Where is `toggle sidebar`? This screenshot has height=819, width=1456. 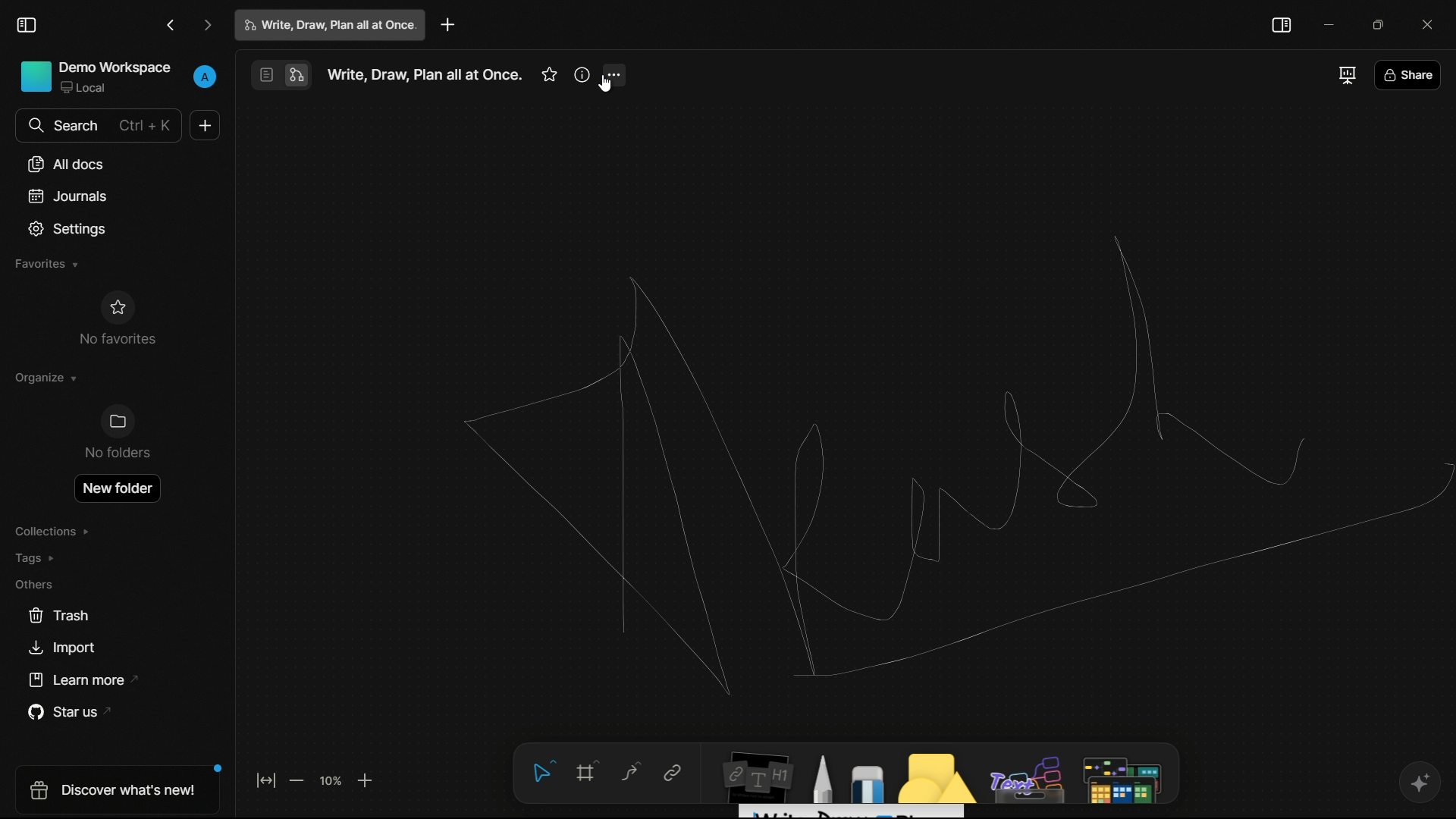
toggle sidebar is located at coordinates (1280, 27).